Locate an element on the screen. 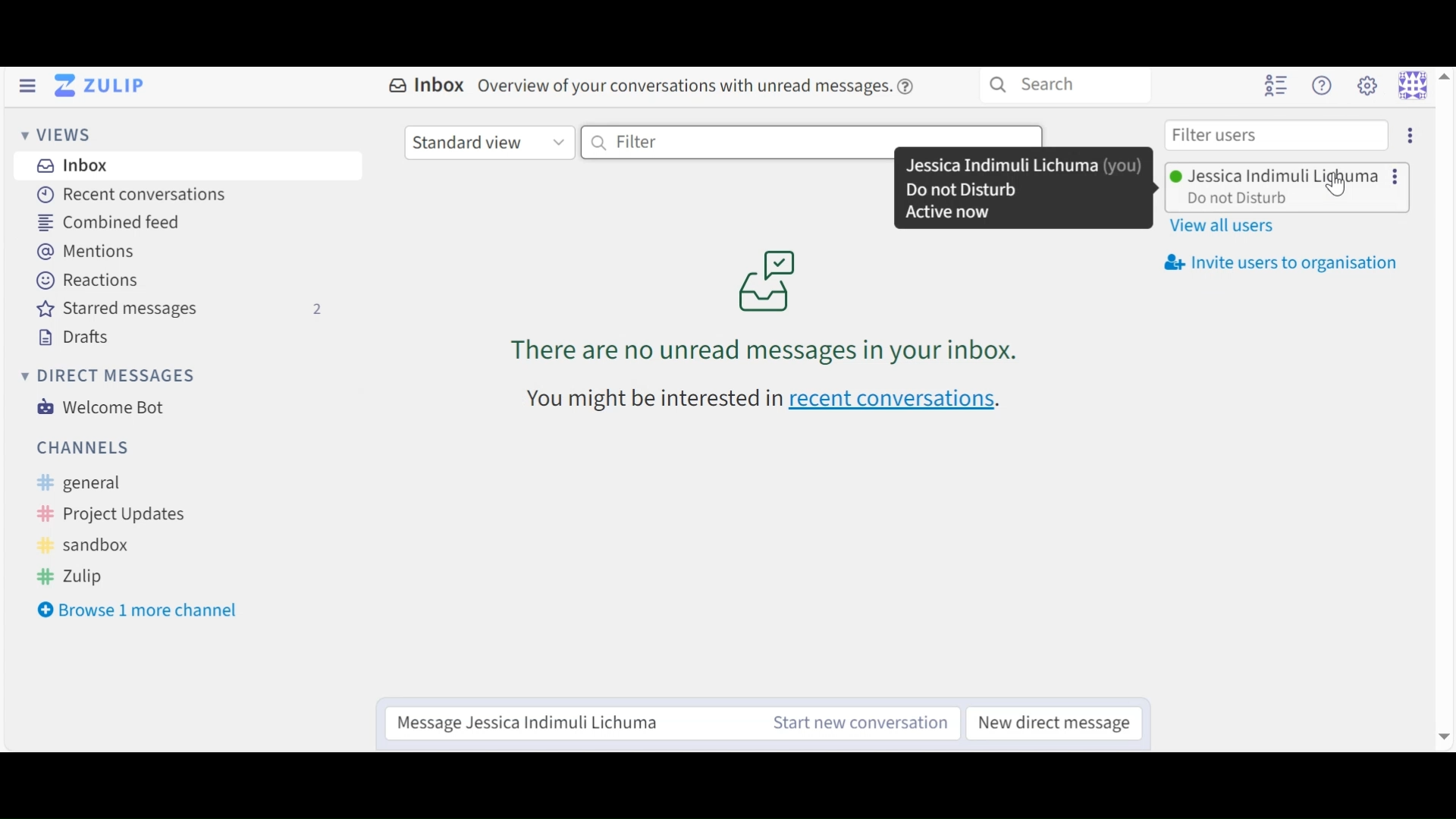  Invite users to orgonisation is located at coordinates (1286, 262).